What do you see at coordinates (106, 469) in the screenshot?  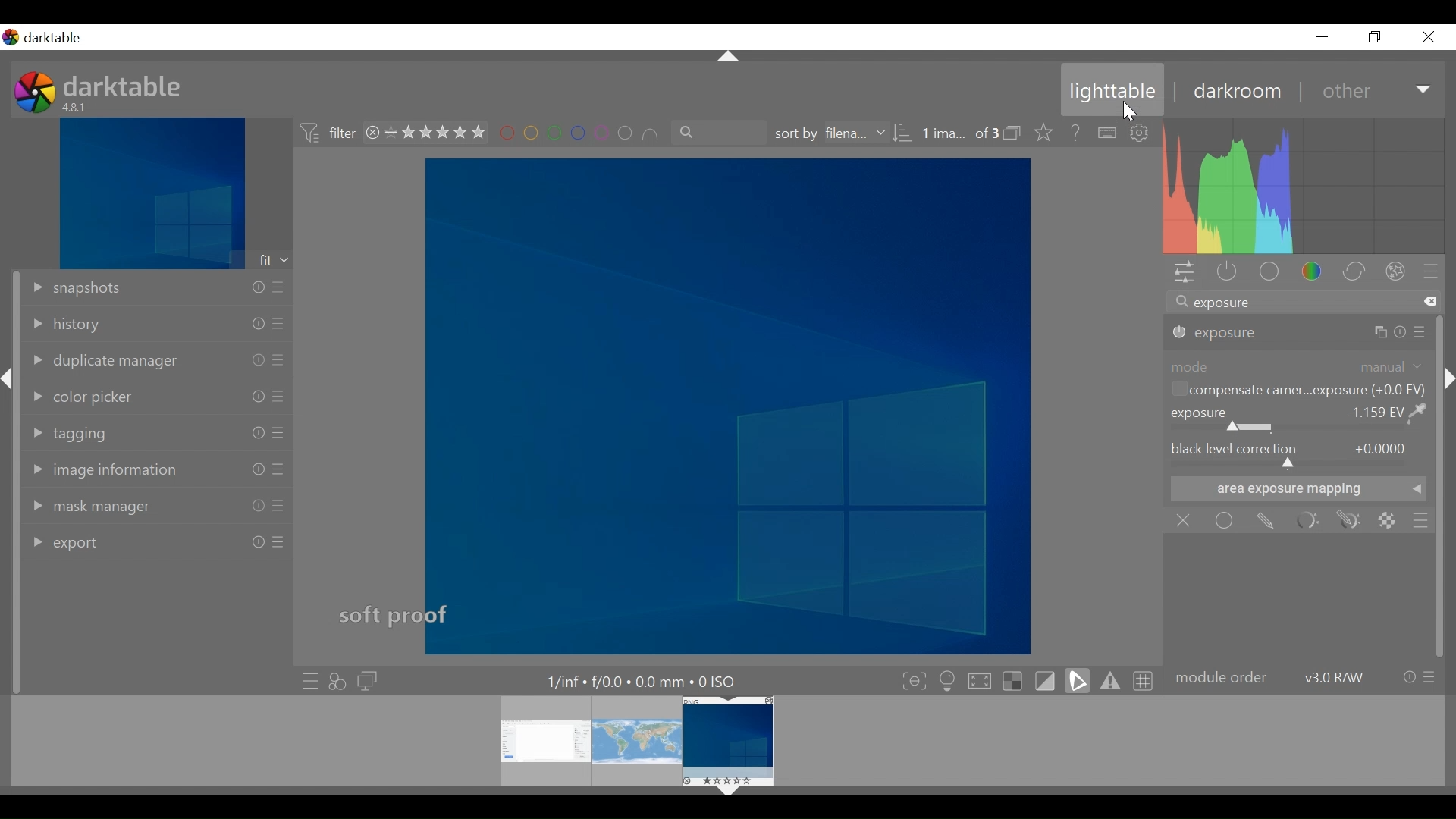 I see `image information` at bounding box center [106, 469].